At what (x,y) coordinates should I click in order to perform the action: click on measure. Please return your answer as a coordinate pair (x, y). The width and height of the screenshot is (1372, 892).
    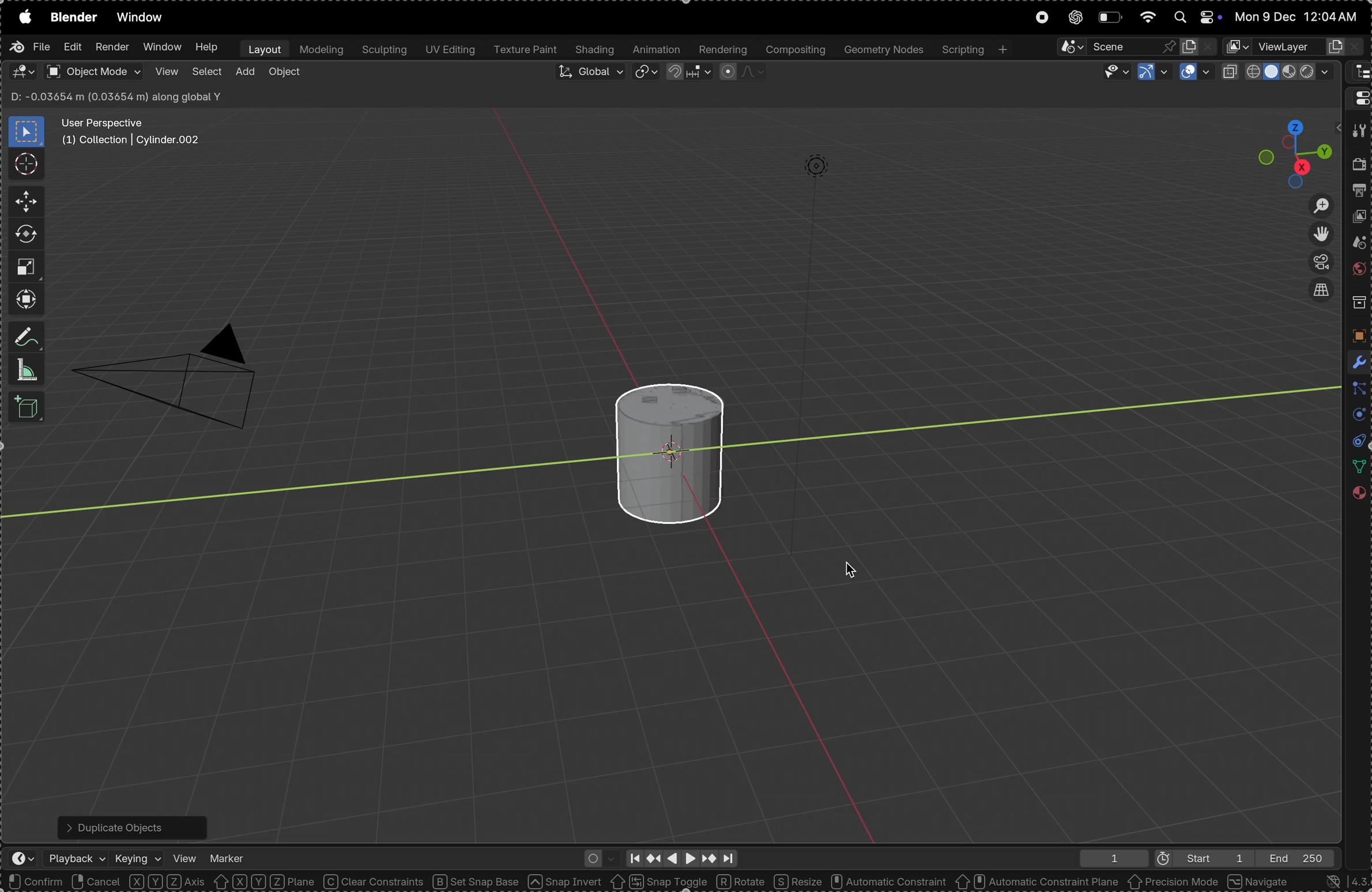
    Looking at the image, I should click on (27, 370).